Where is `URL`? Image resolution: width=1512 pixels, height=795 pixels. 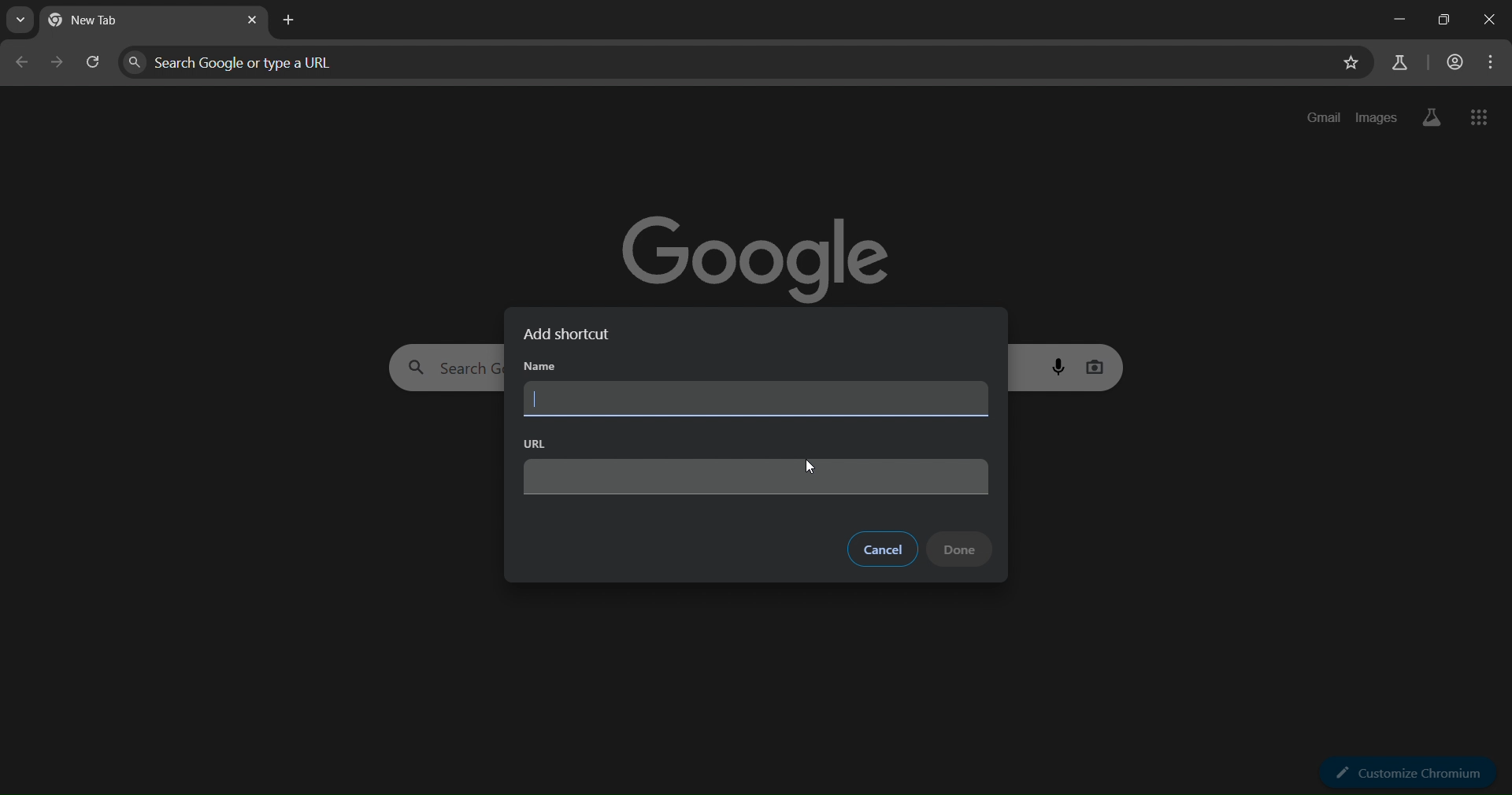 URL is located at coordinates (532, 443).